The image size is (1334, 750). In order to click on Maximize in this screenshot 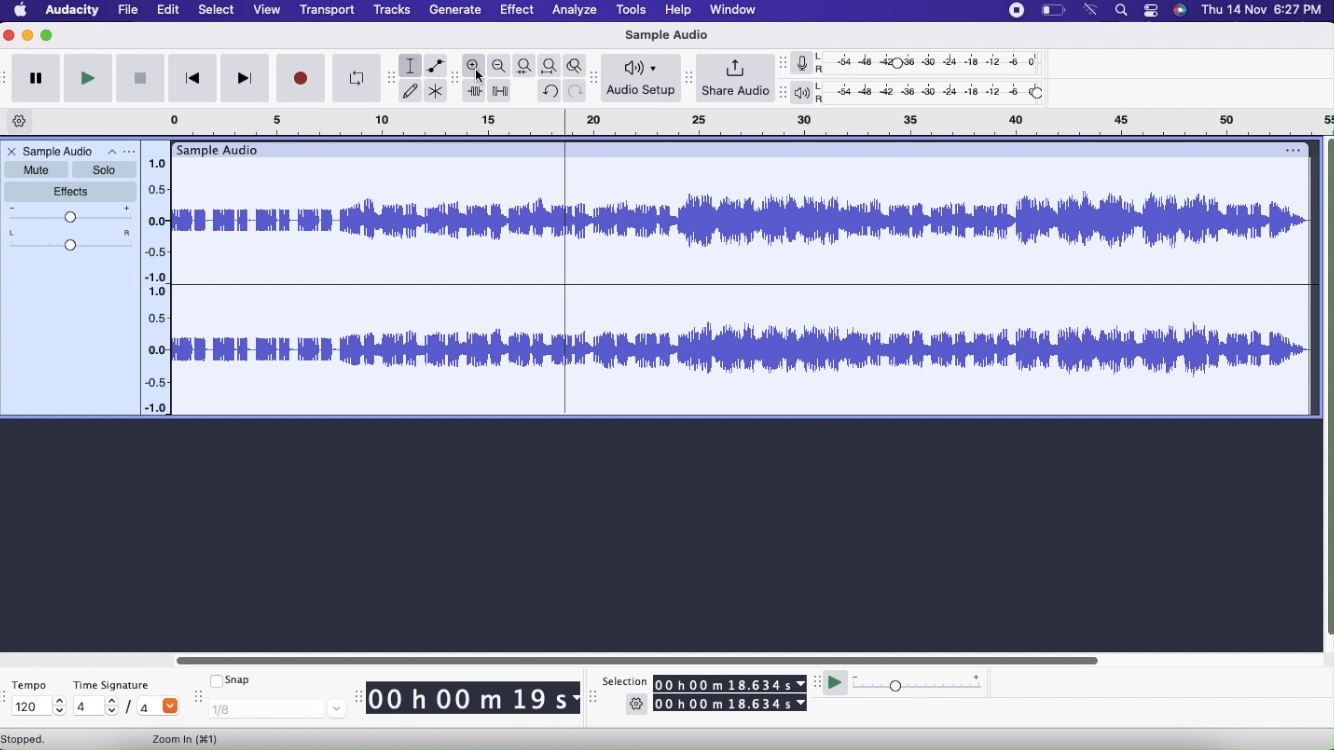, I will do `click(48, 37)`.